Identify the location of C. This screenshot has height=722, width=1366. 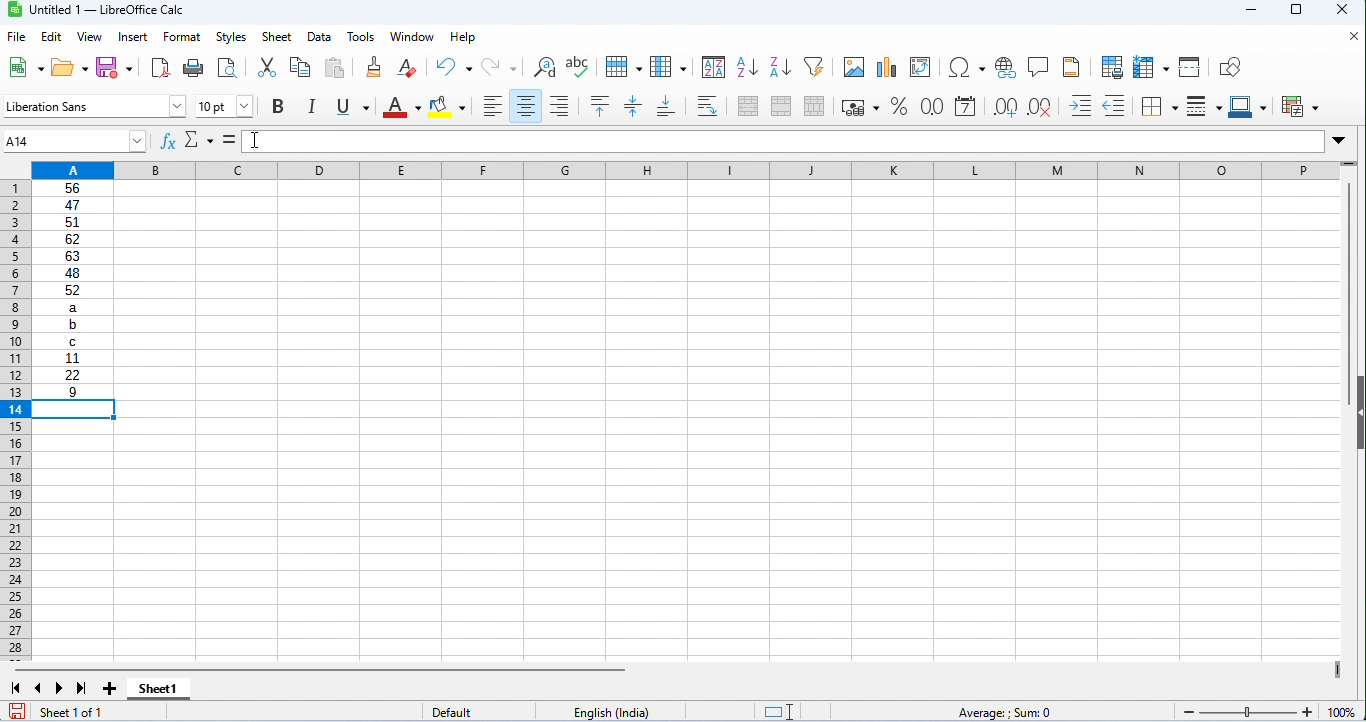
(73, 341).